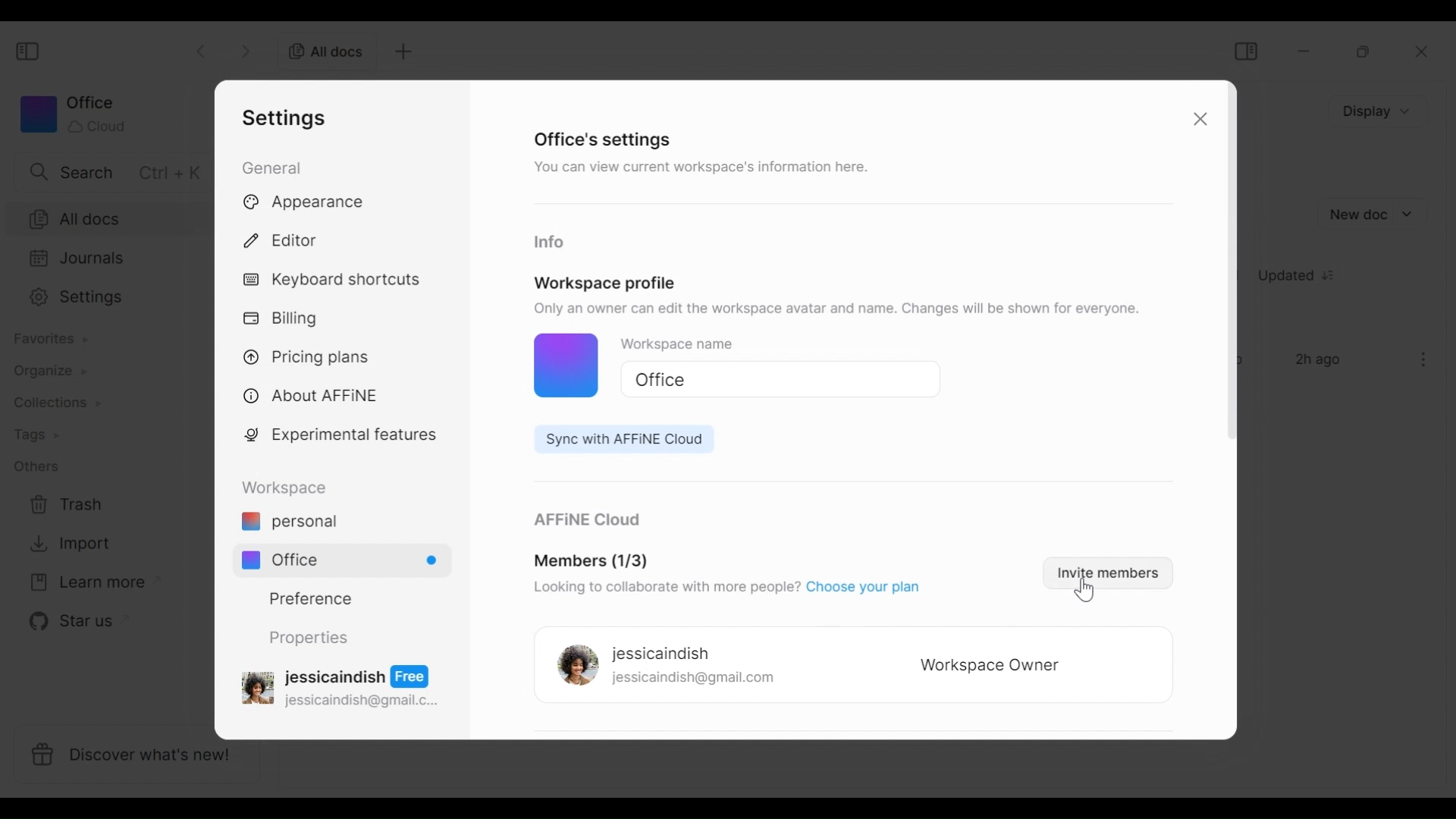 The height and width of the screenshot is (819, 1456). I want to click on Editor, so click(287, 238).